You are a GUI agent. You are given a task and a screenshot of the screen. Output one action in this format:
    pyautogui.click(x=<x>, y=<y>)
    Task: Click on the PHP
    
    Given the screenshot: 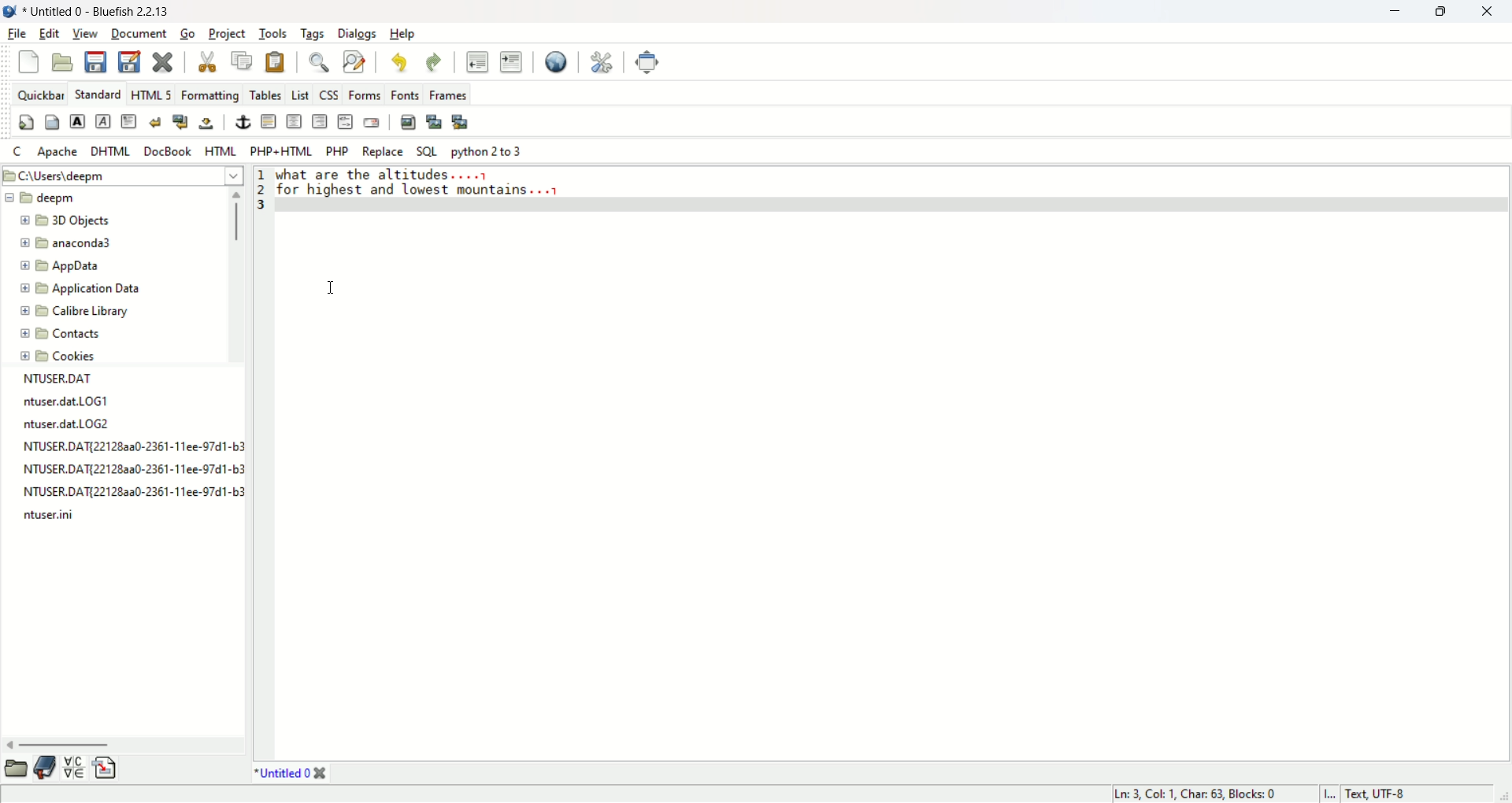 What is the action you would take?
    pyautogui.click(x=338, y=151)
    